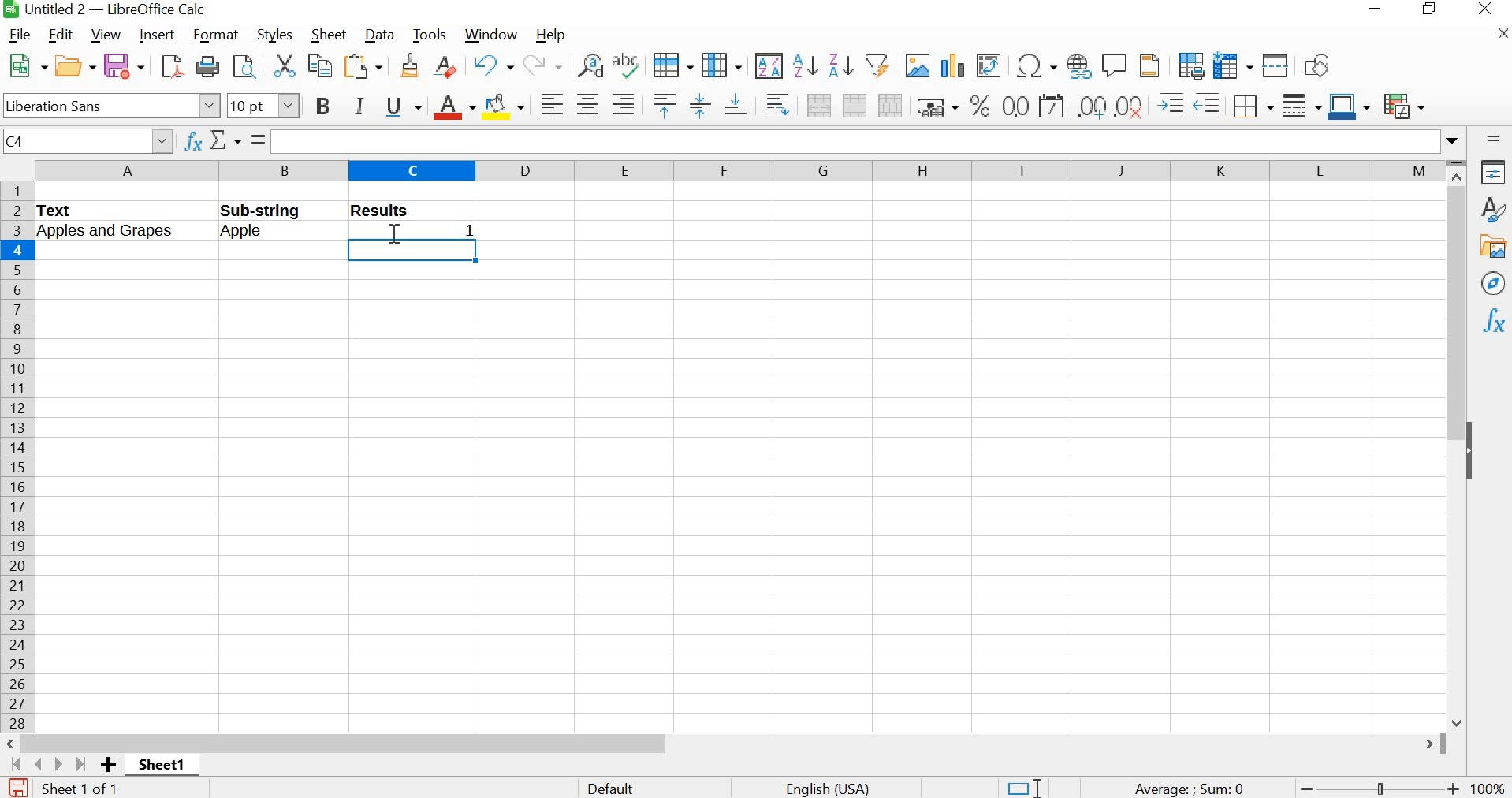 The image size is (1512, 798). Describe the element at coordinates (624, 106) in the screenshot. I see `align right` at that location.